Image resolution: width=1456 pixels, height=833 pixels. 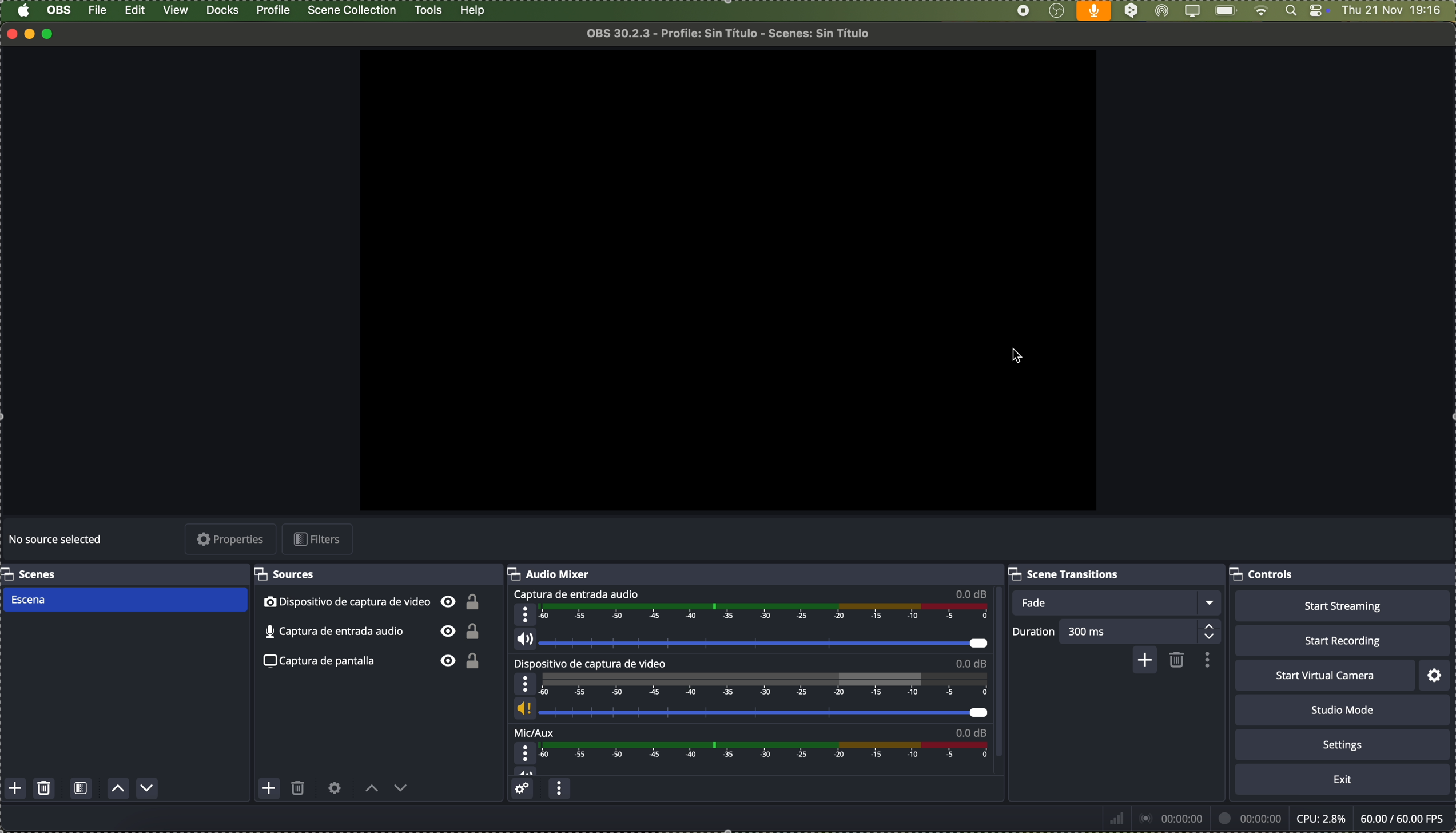 I want to click on file, so click(x=99, y=10).